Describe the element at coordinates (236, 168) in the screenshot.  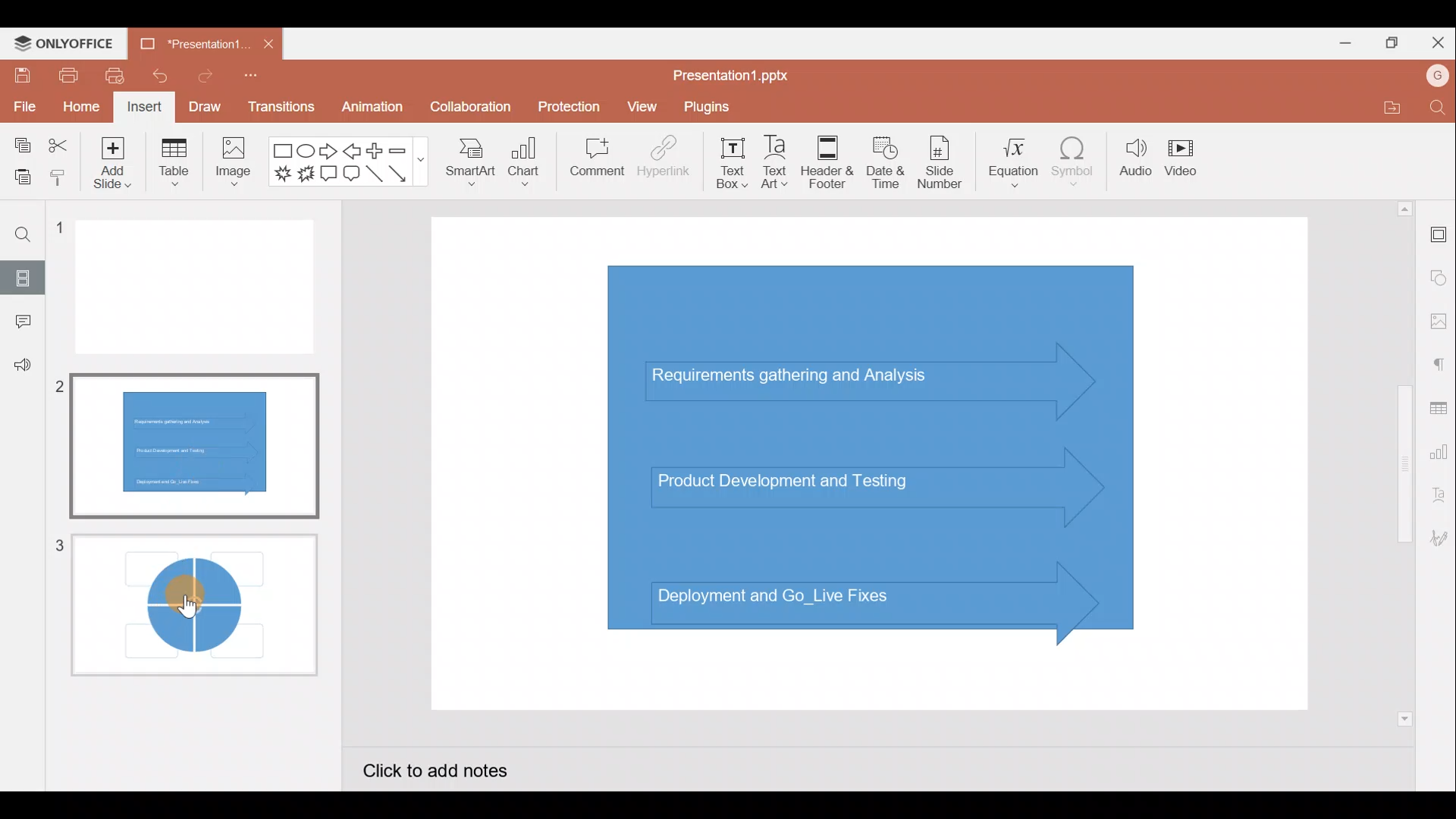
I see `Image` at that location.